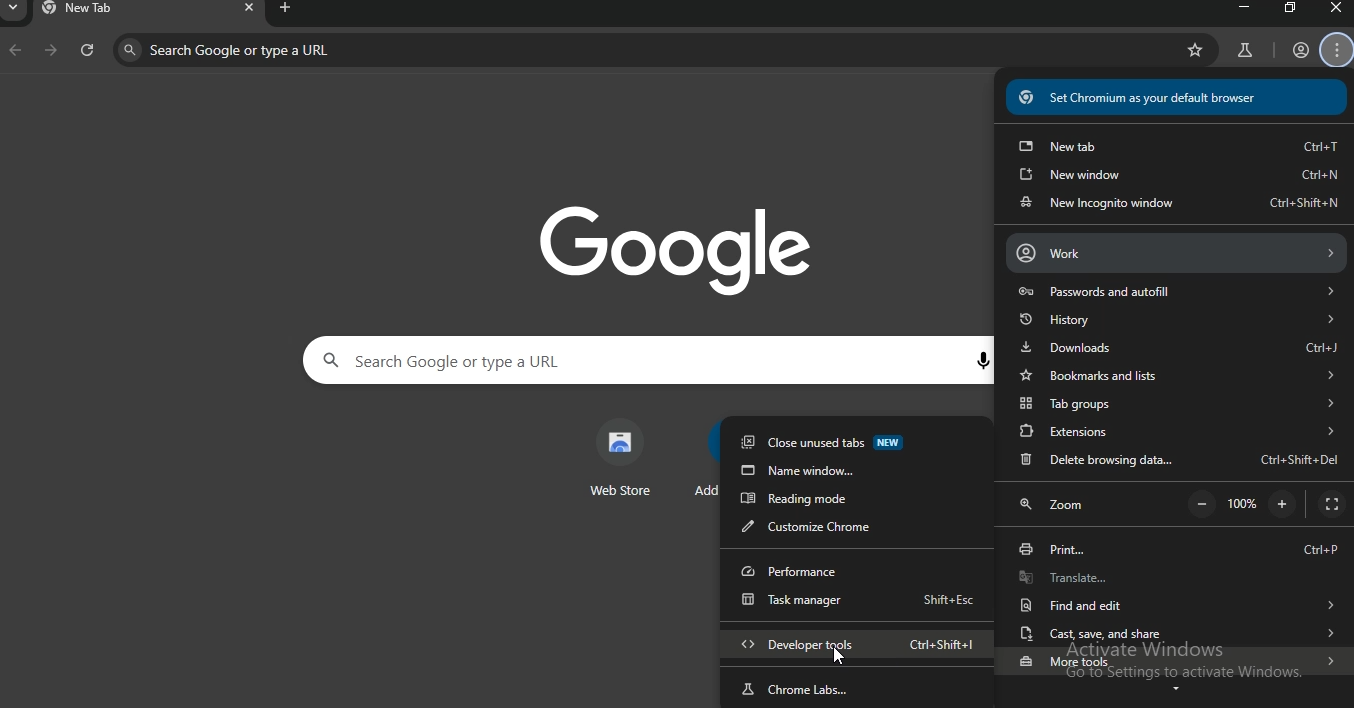 This screenshot has height=708, width=1354. What do you see at coordinates (676, 243) in the screenshot?
I see `google` at bounding box center [676, 243].